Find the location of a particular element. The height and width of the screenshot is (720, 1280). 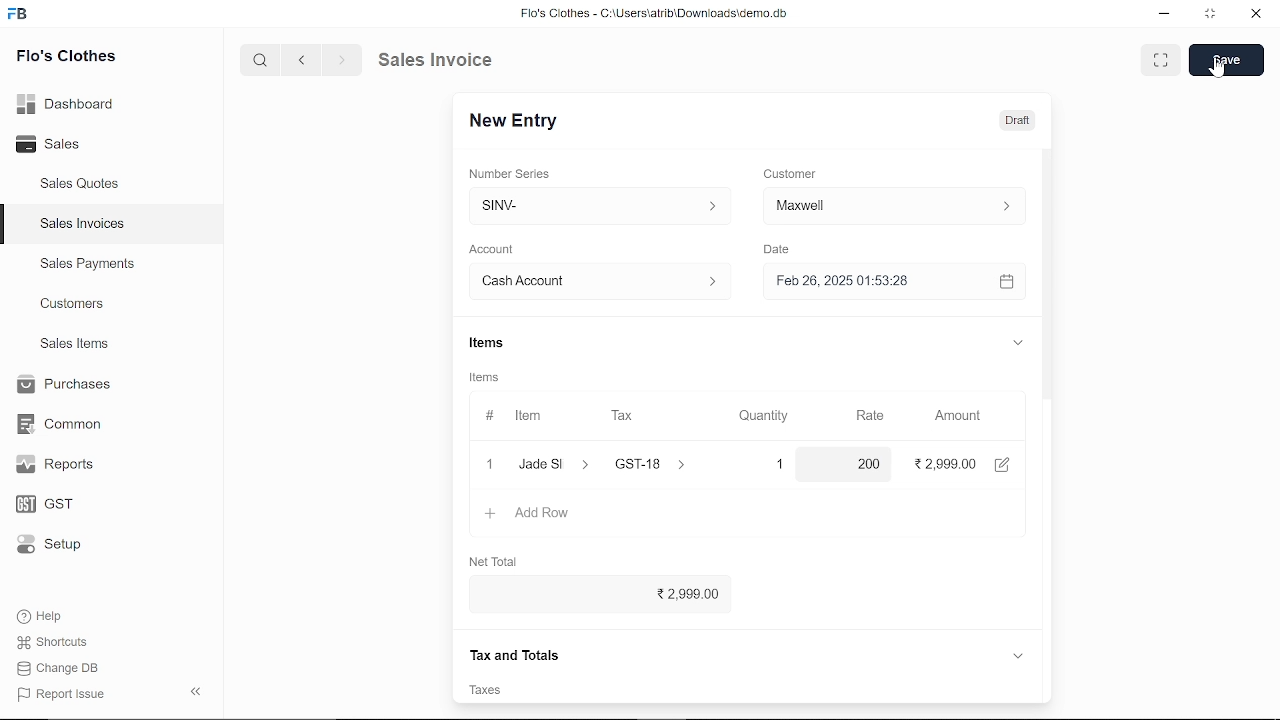

Sales Invoice is located at coordinates (450, 59).